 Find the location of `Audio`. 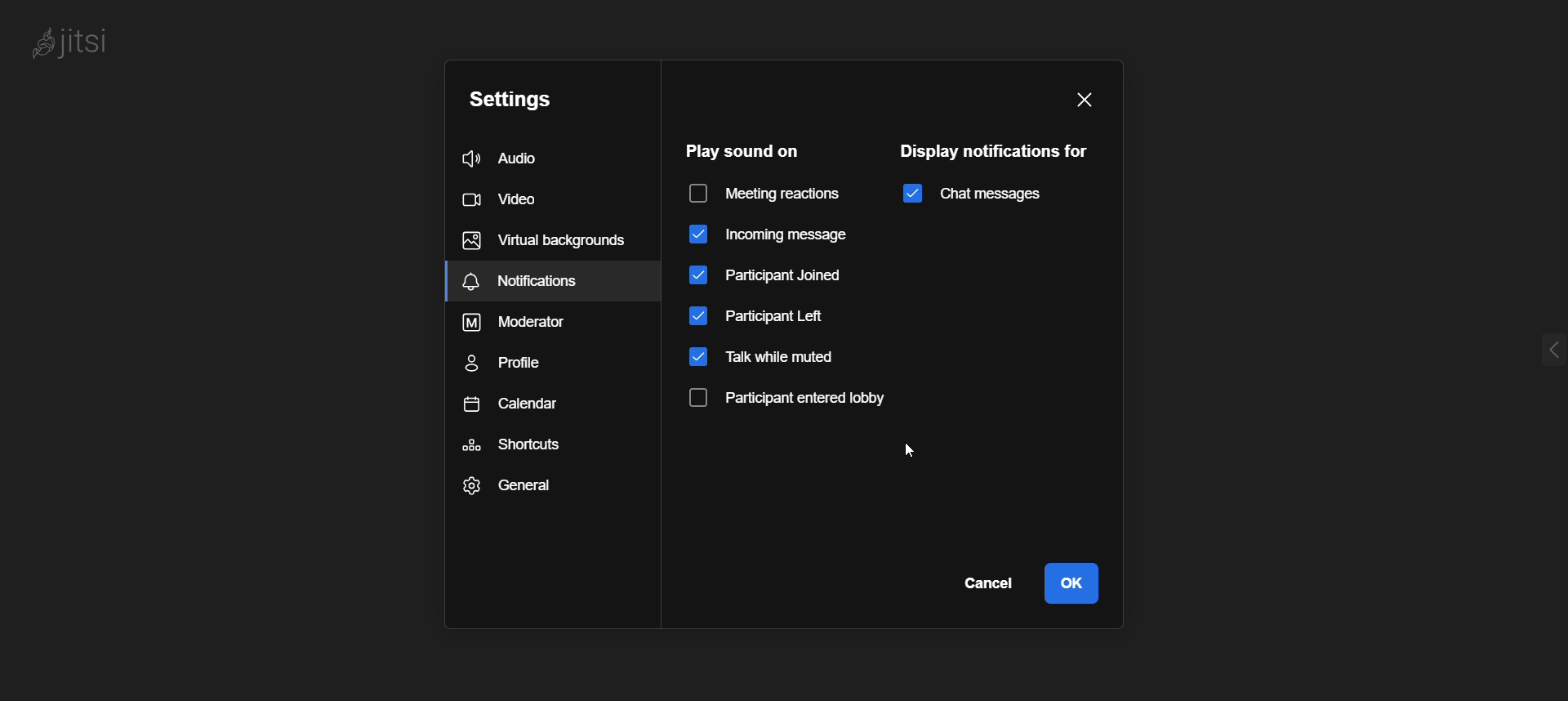

Audio is located at coordinates (537, 158).